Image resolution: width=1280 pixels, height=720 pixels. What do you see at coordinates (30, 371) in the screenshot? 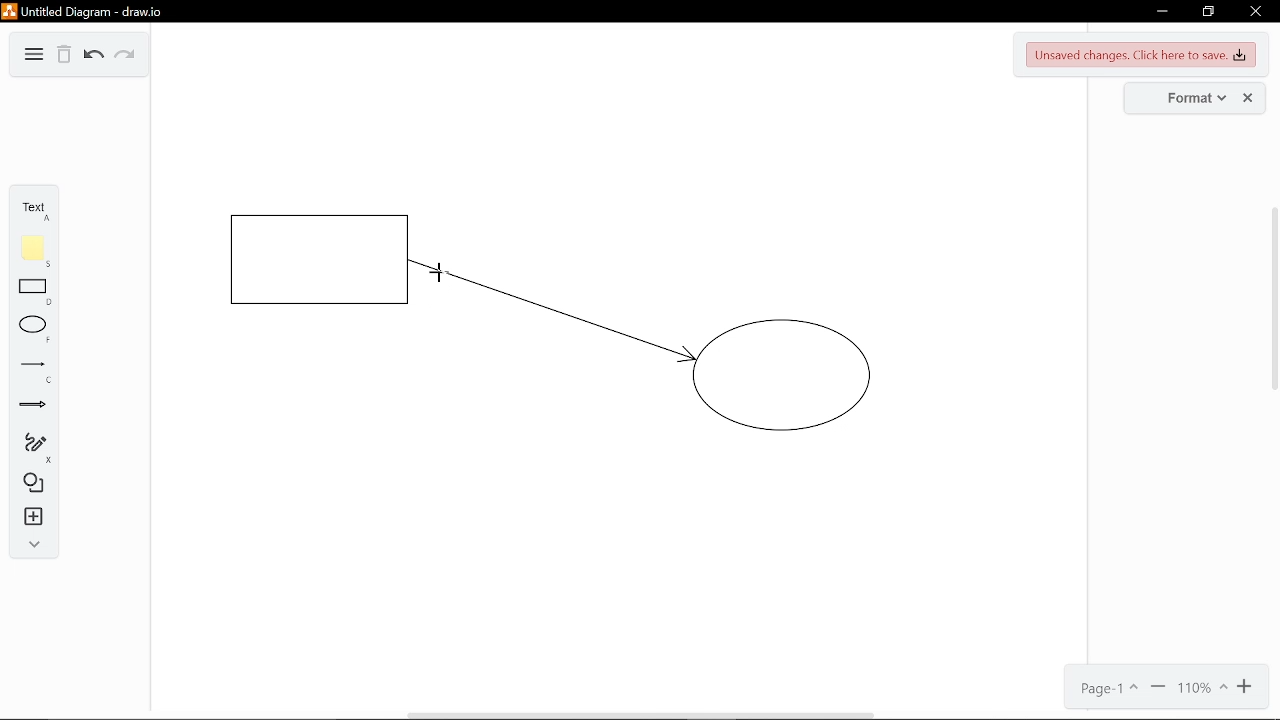
I see `Line` at bounding box center [30, 371].